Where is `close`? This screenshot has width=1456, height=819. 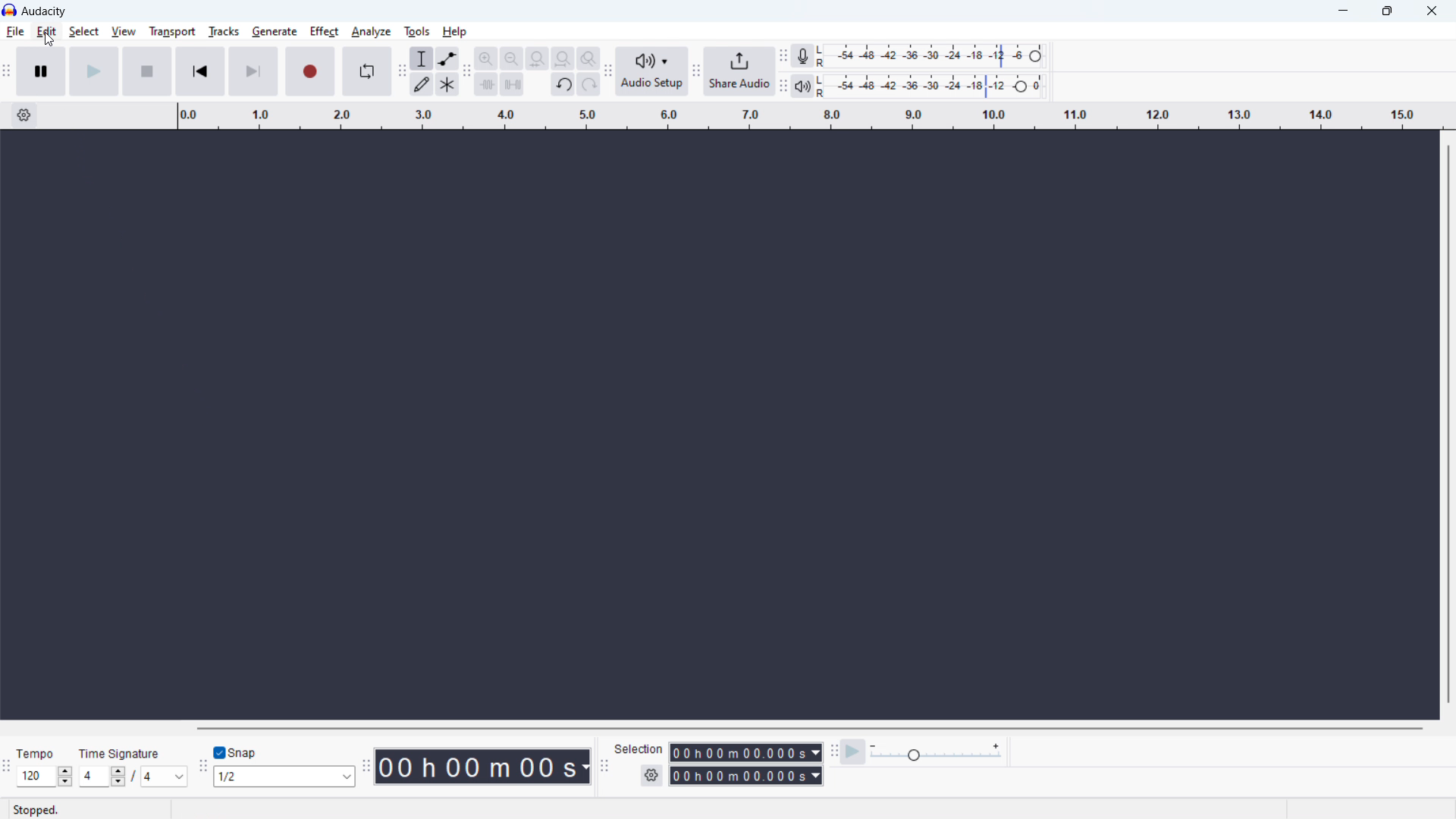
close is located at coordinates (1430, 11).